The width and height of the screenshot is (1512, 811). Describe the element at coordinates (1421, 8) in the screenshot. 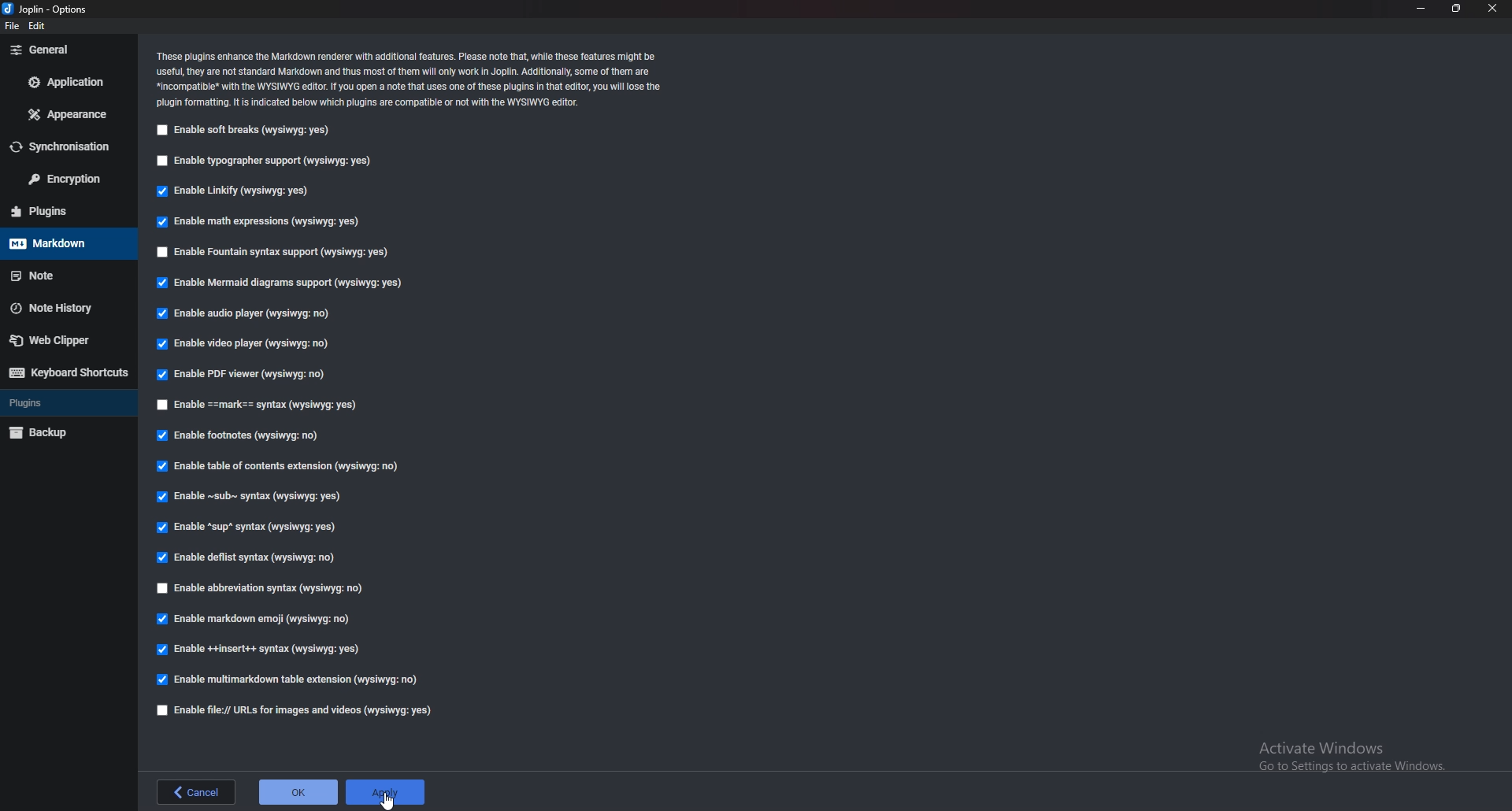

I see `minimize` at that location.